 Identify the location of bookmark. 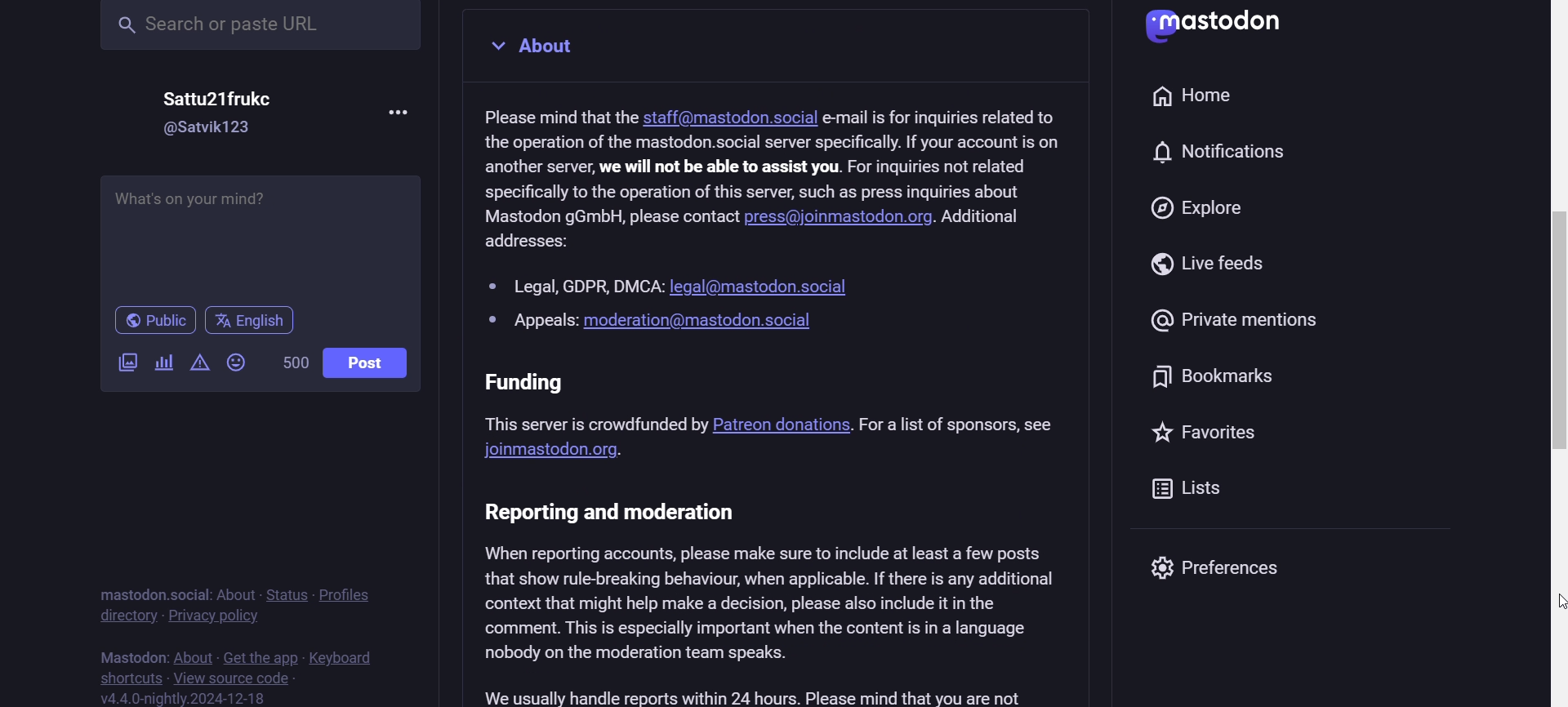
(1221, 380).